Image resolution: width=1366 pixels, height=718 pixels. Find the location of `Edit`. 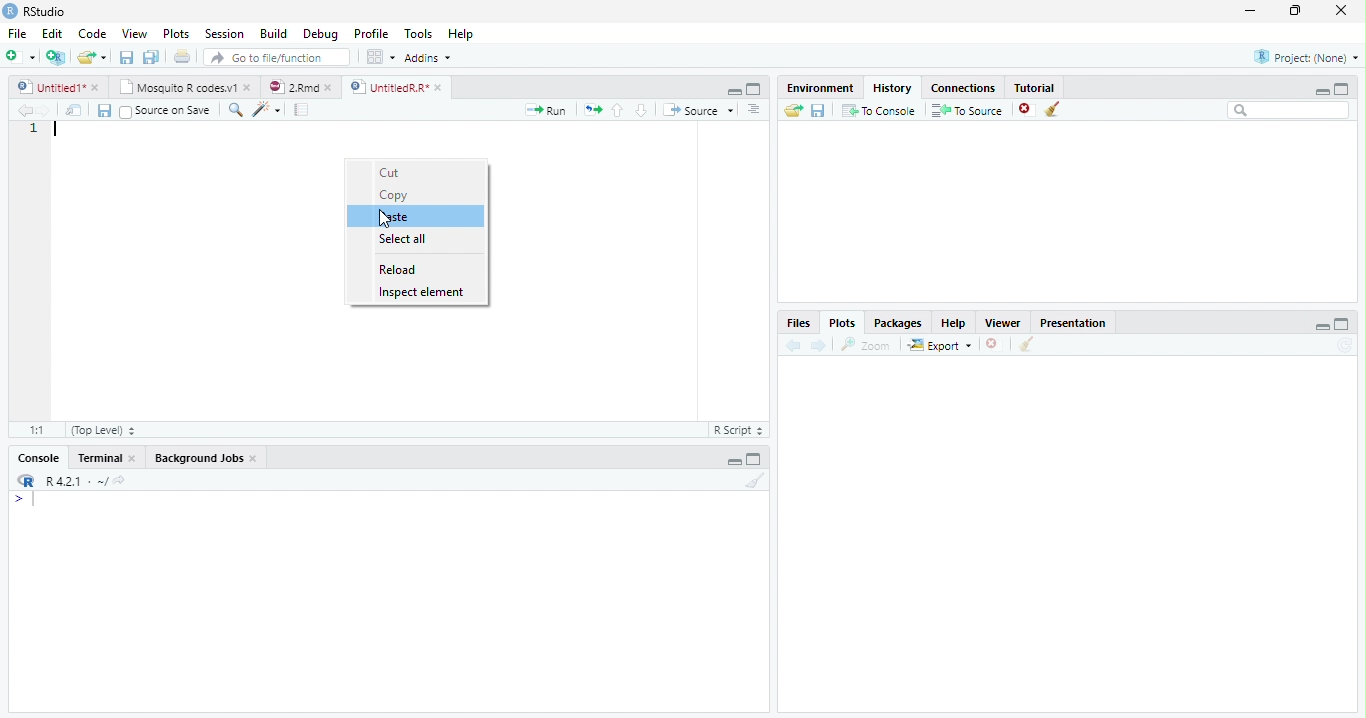

Edit is located at coordinates (53, 33).